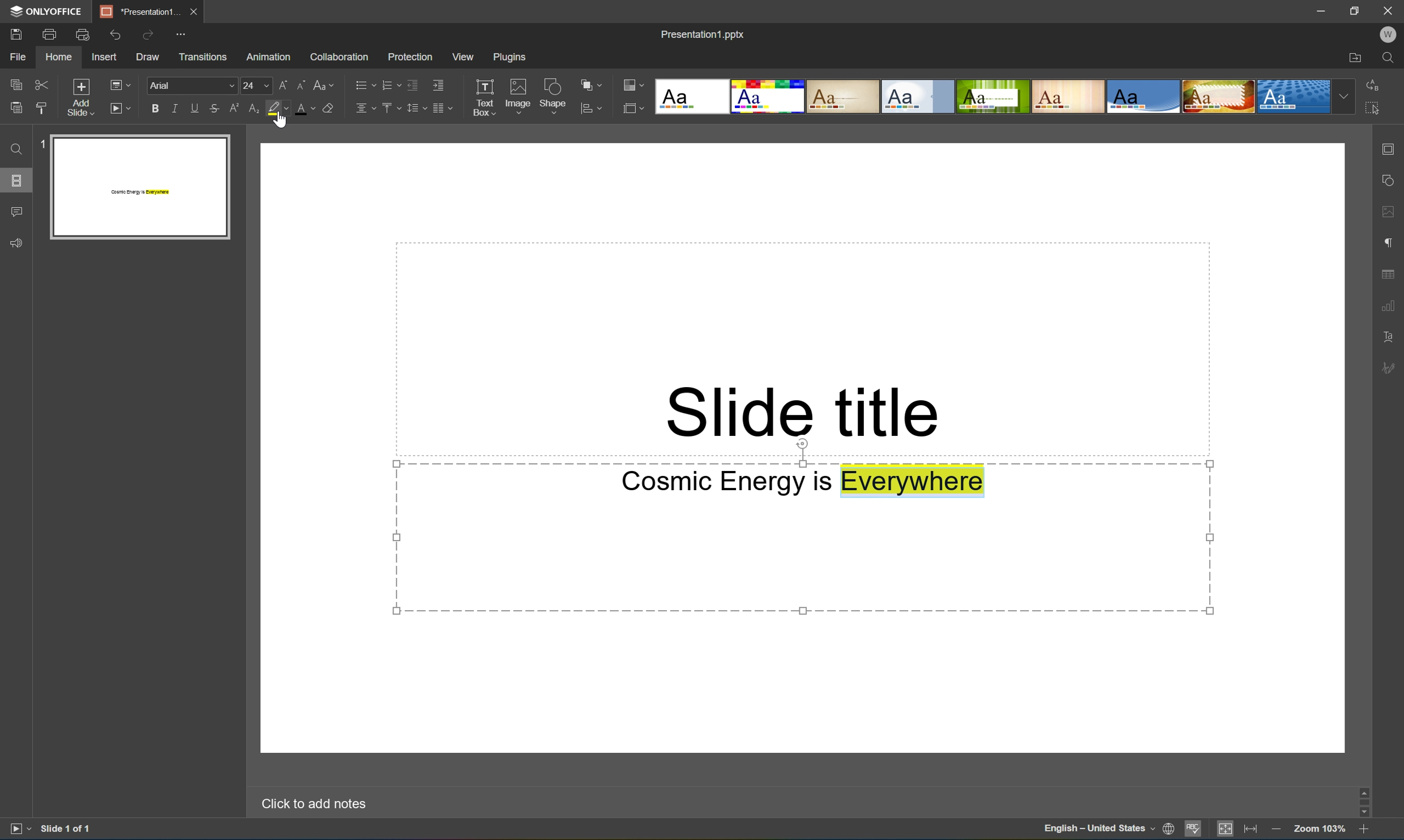 The image size is (1404, 840). I want to click on Table settings, so click(1390, 273).